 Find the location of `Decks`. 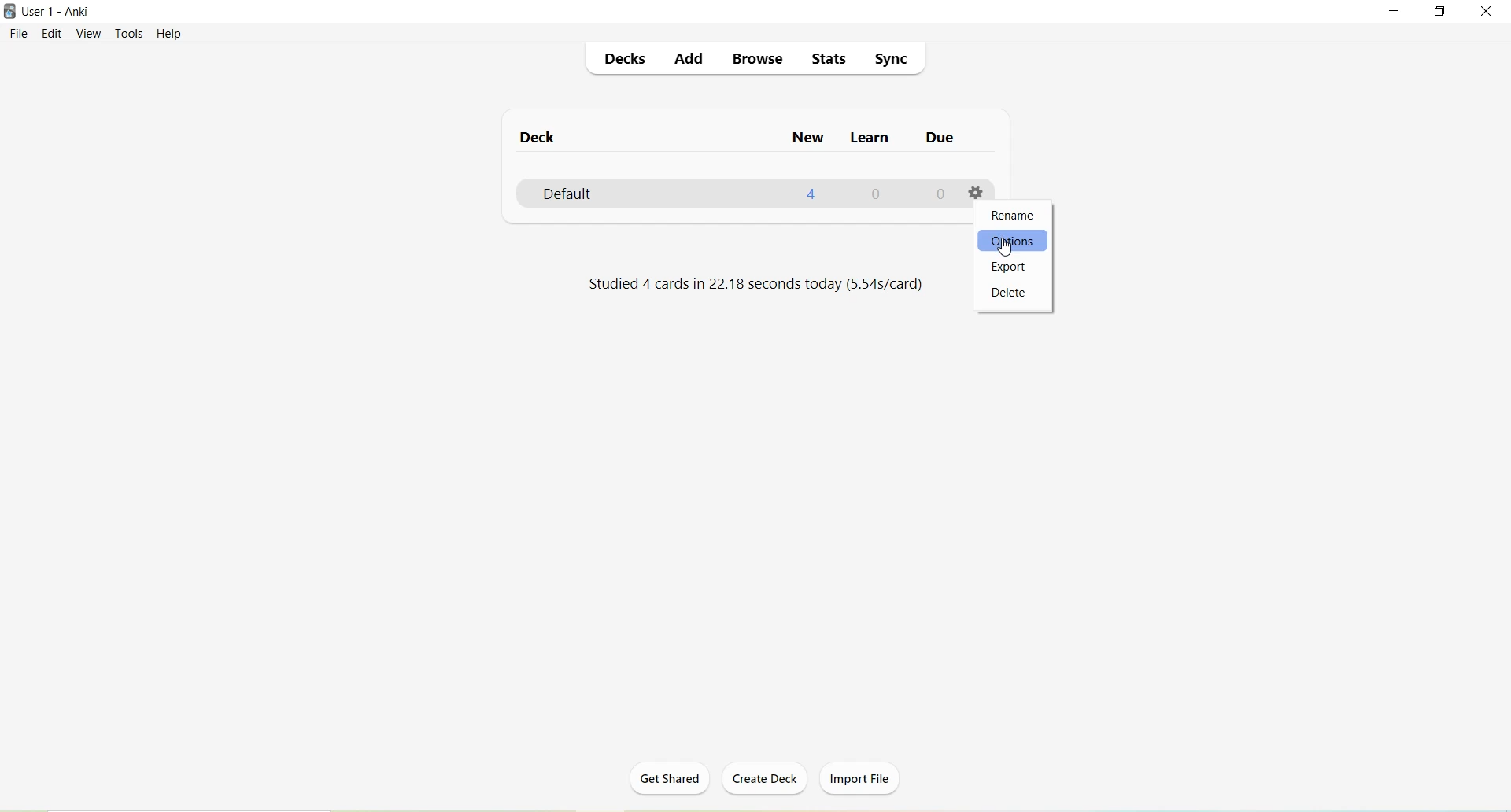

Decks is located at coordinates (627, 60).